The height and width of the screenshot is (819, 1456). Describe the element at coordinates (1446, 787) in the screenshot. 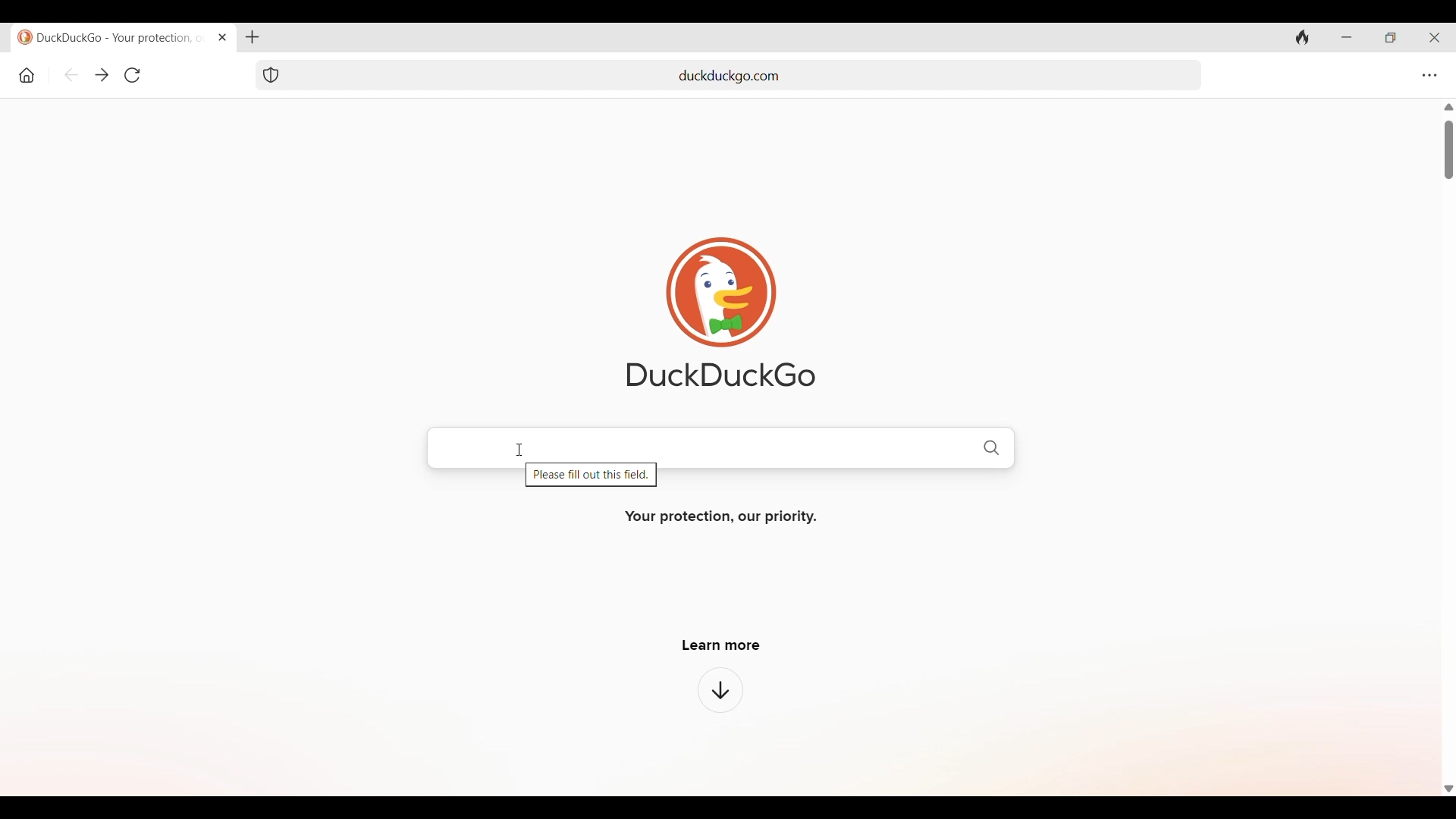

I see `Quick slide to bottom` at that location.